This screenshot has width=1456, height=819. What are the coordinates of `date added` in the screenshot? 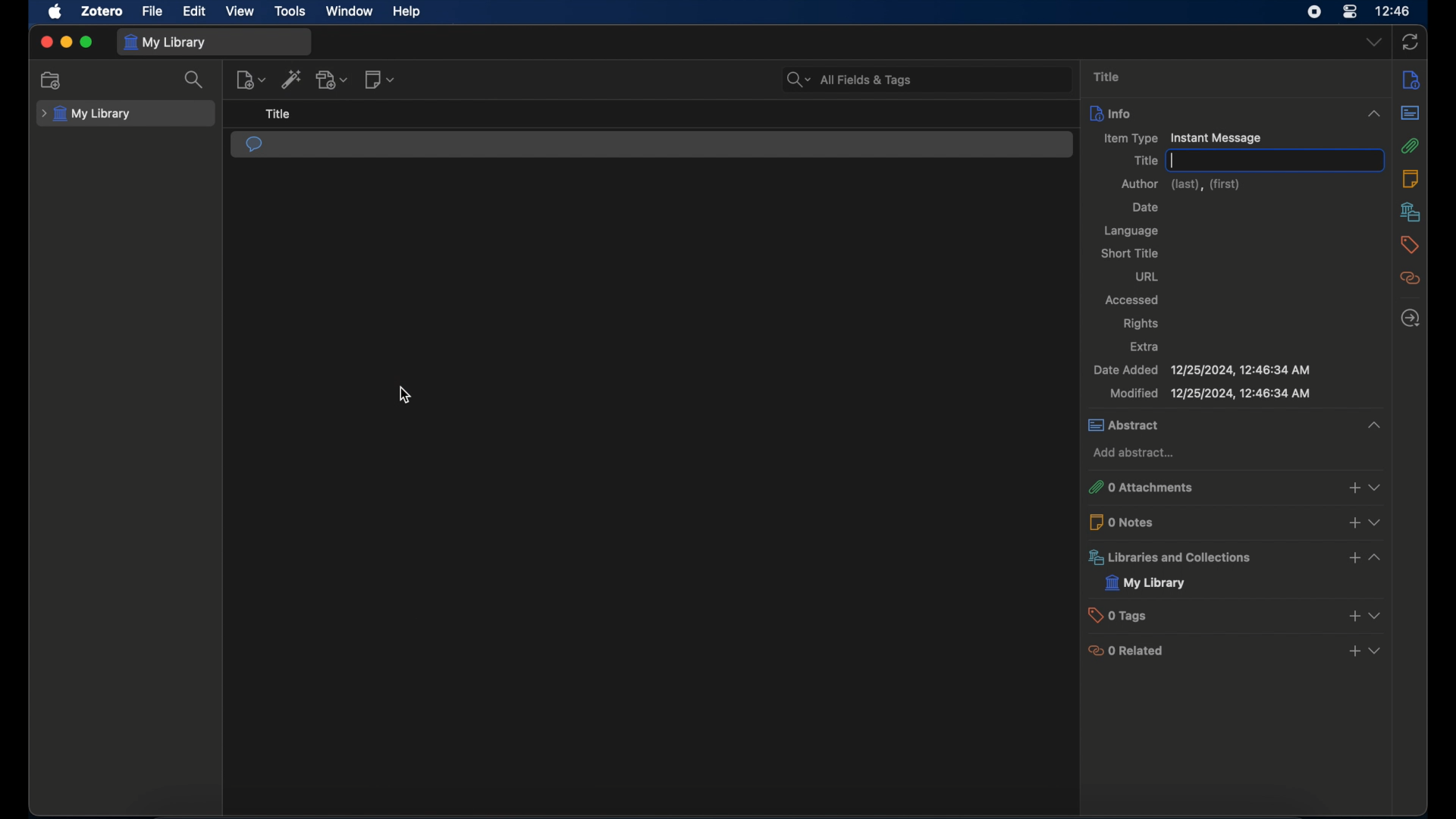 It's located at (1203, 369).